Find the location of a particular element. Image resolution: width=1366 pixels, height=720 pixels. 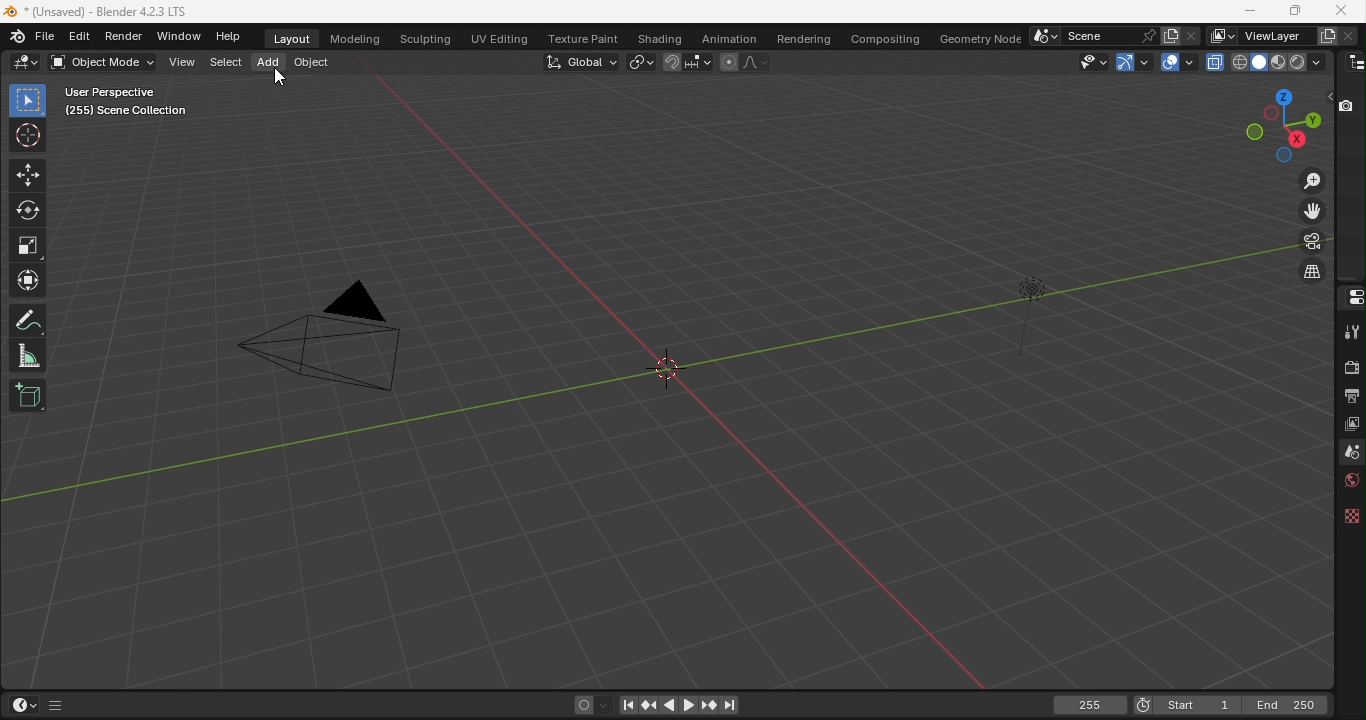

Viewport shading: rendered is located at coordinates (1296, 62).